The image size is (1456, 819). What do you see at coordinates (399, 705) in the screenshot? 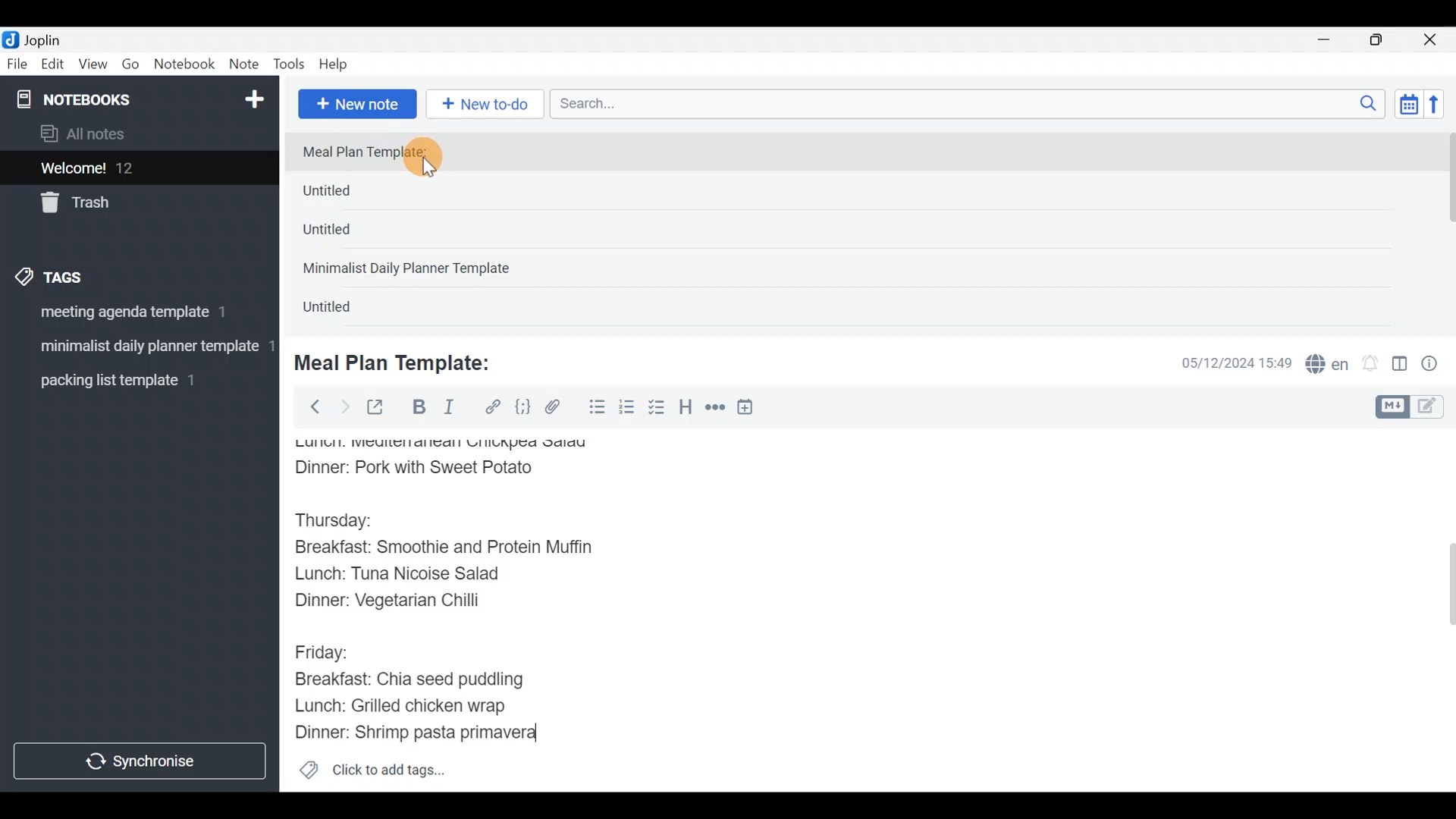
I see `Lunch: Grilled chicken wrap` at bounding box center [399, 705].